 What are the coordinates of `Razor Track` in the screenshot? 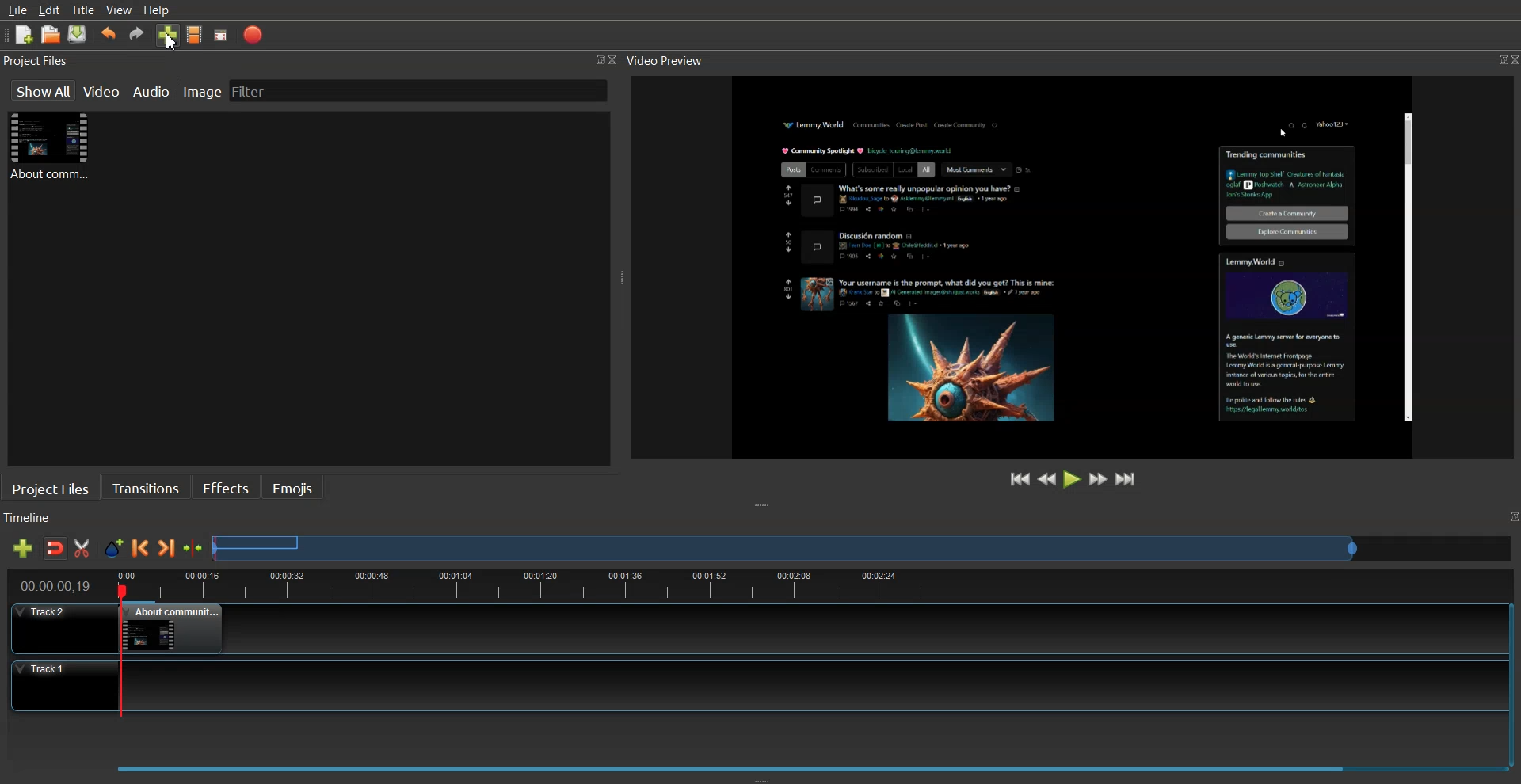 It's located at (83, 548).